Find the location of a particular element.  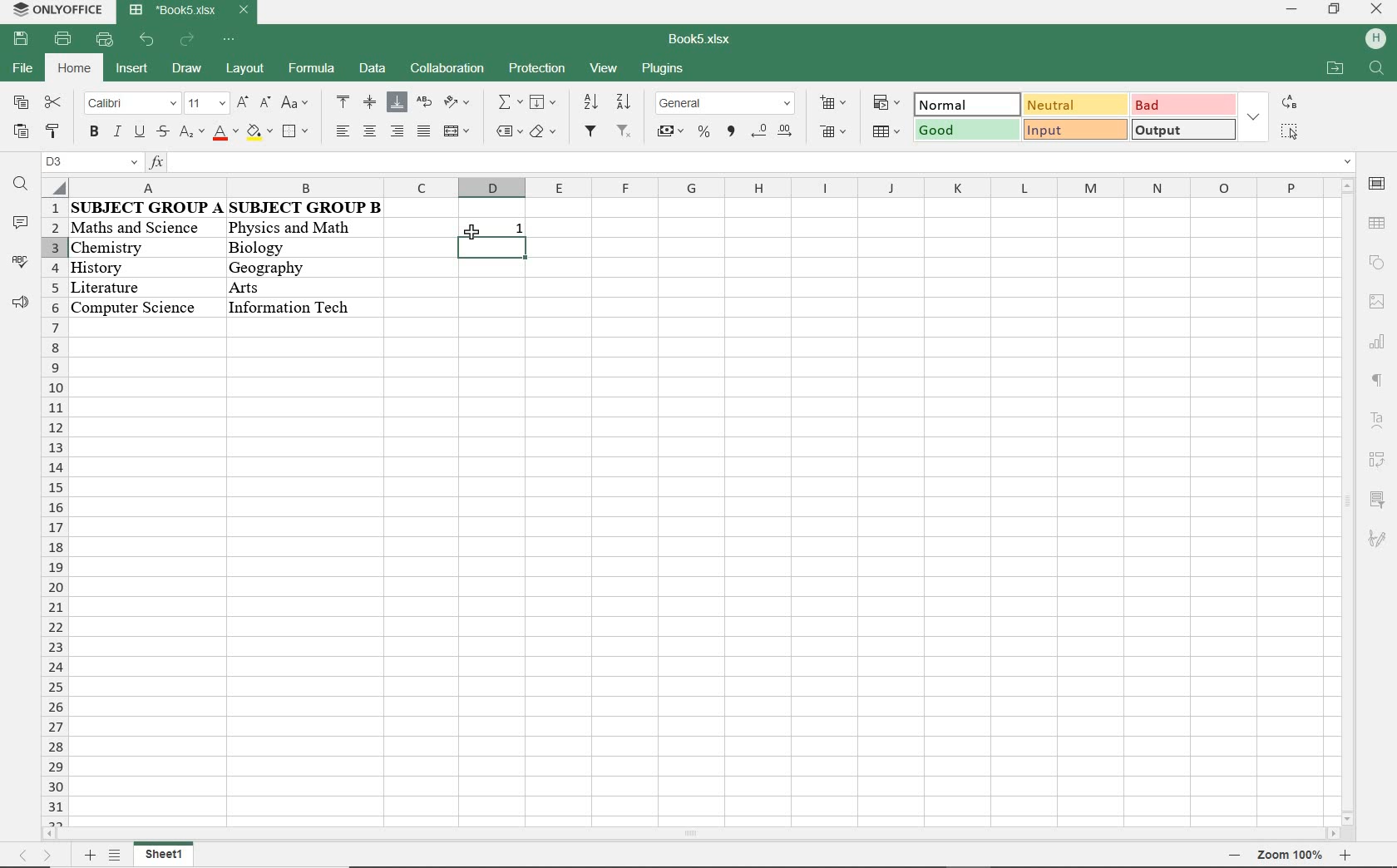

draw is located at coordinates (186, 68).